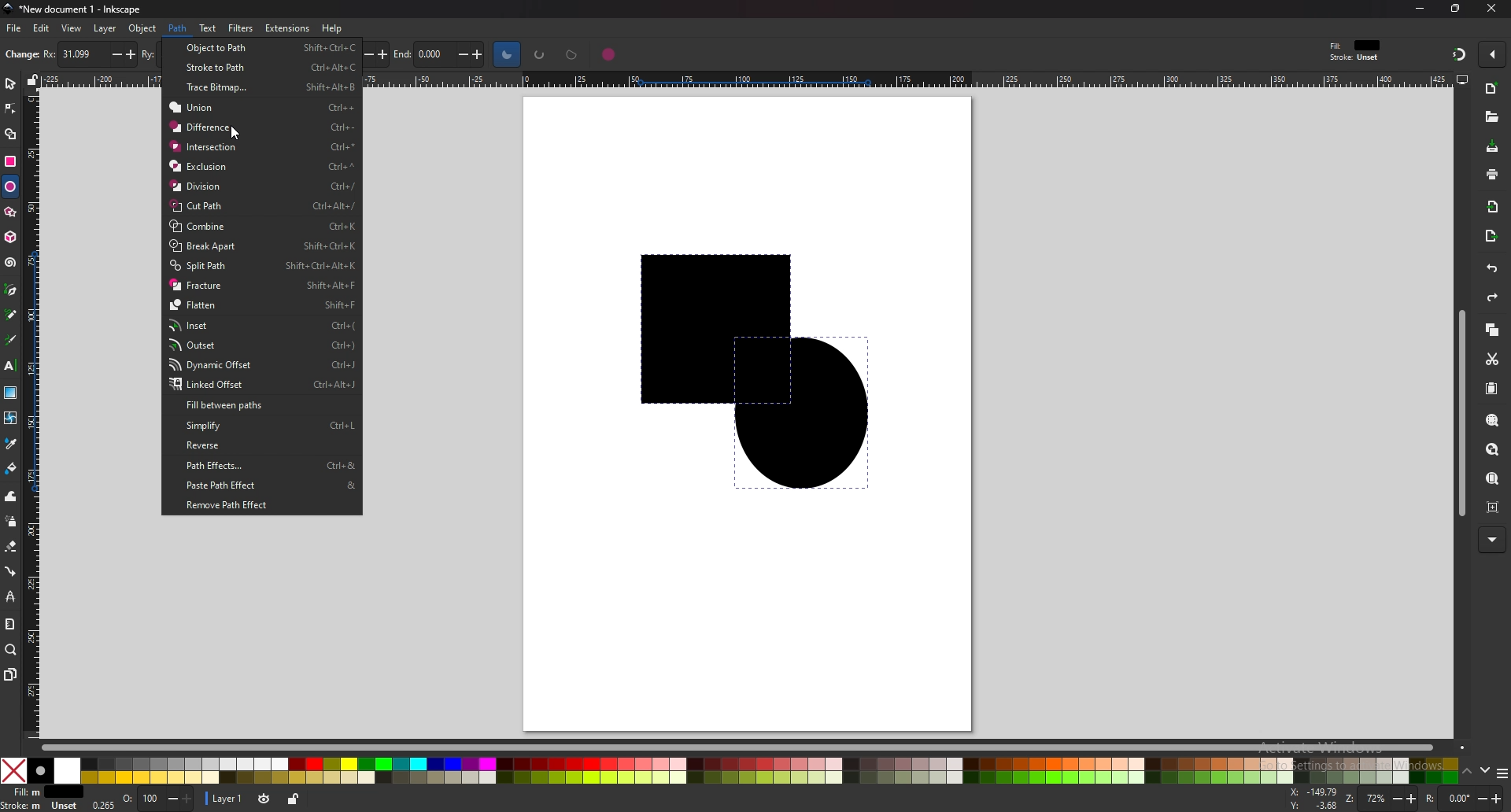  What do you see at coordinates (264, 266) in the screenshot?
I see `Split Path` at bounding box center [264, 266].